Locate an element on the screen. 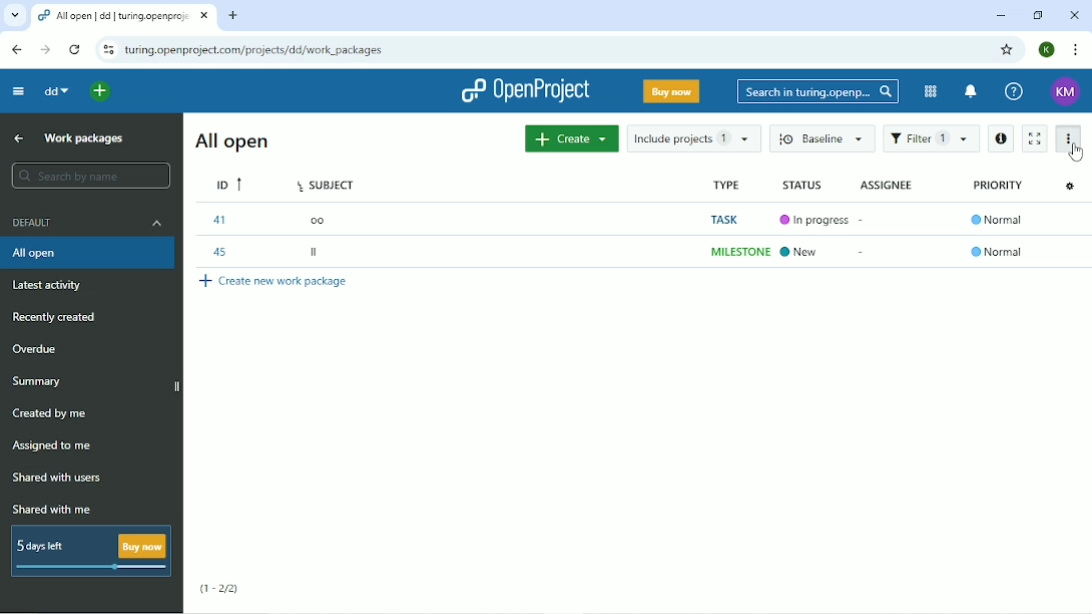  New is located at coordinates (804, 252).